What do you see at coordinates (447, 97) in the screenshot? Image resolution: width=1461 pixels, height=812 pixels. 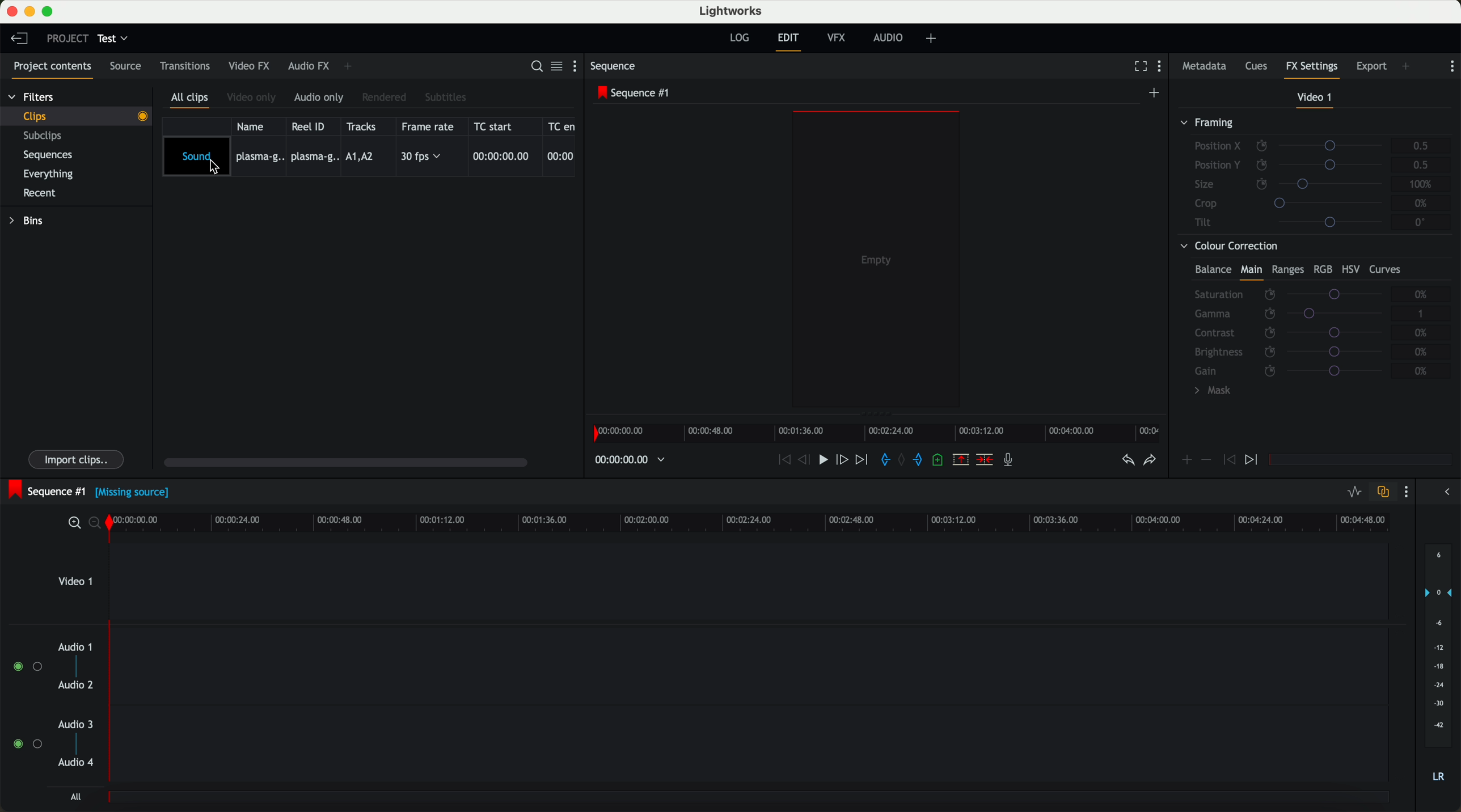 I see `subtitles` at bounding box center [447, 97].